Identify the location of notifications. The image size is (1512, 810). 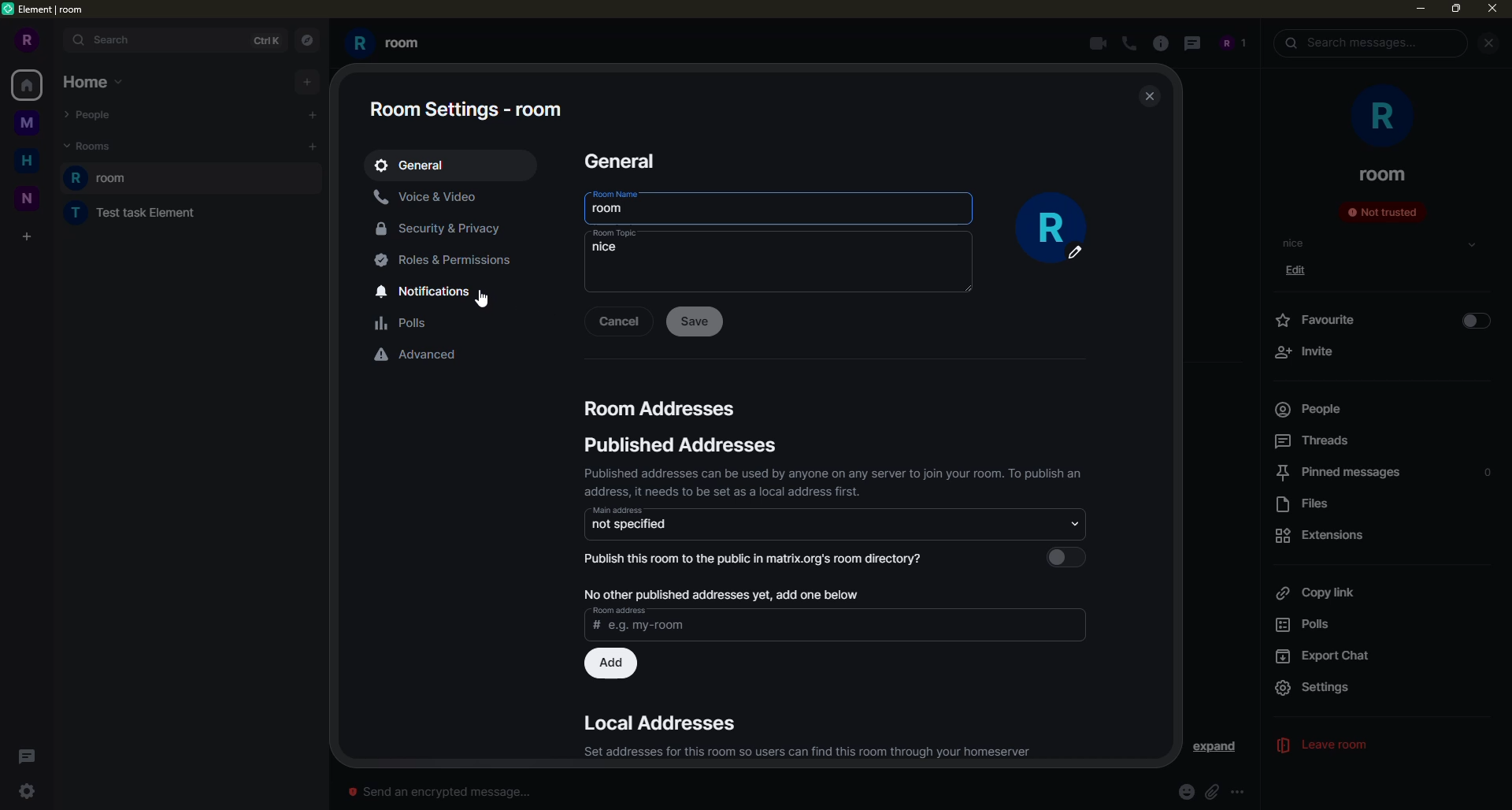
(432, 292).